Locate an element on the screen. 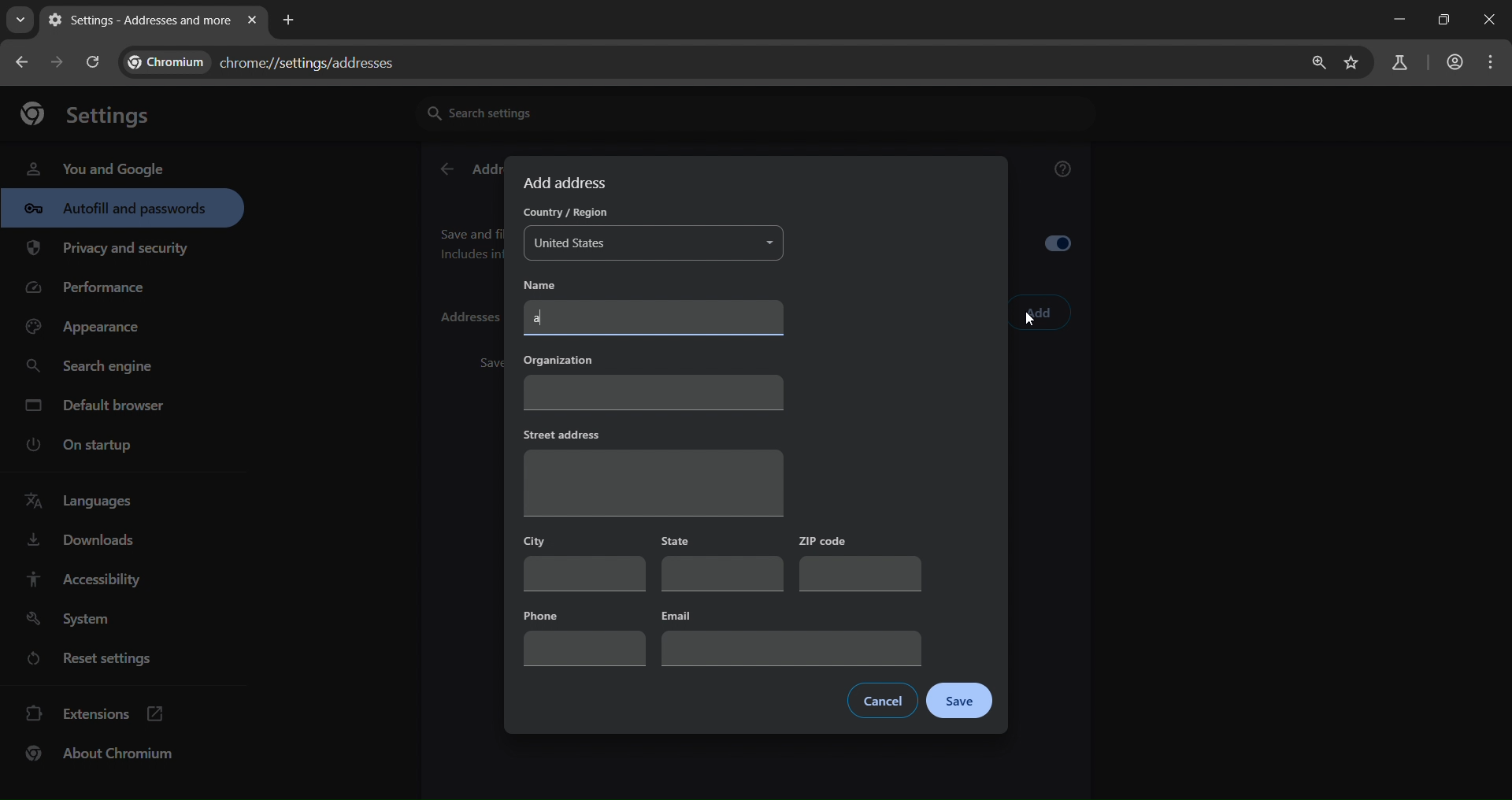 The image size is (1512, 800). search engine is located at coordinates (94, 367).